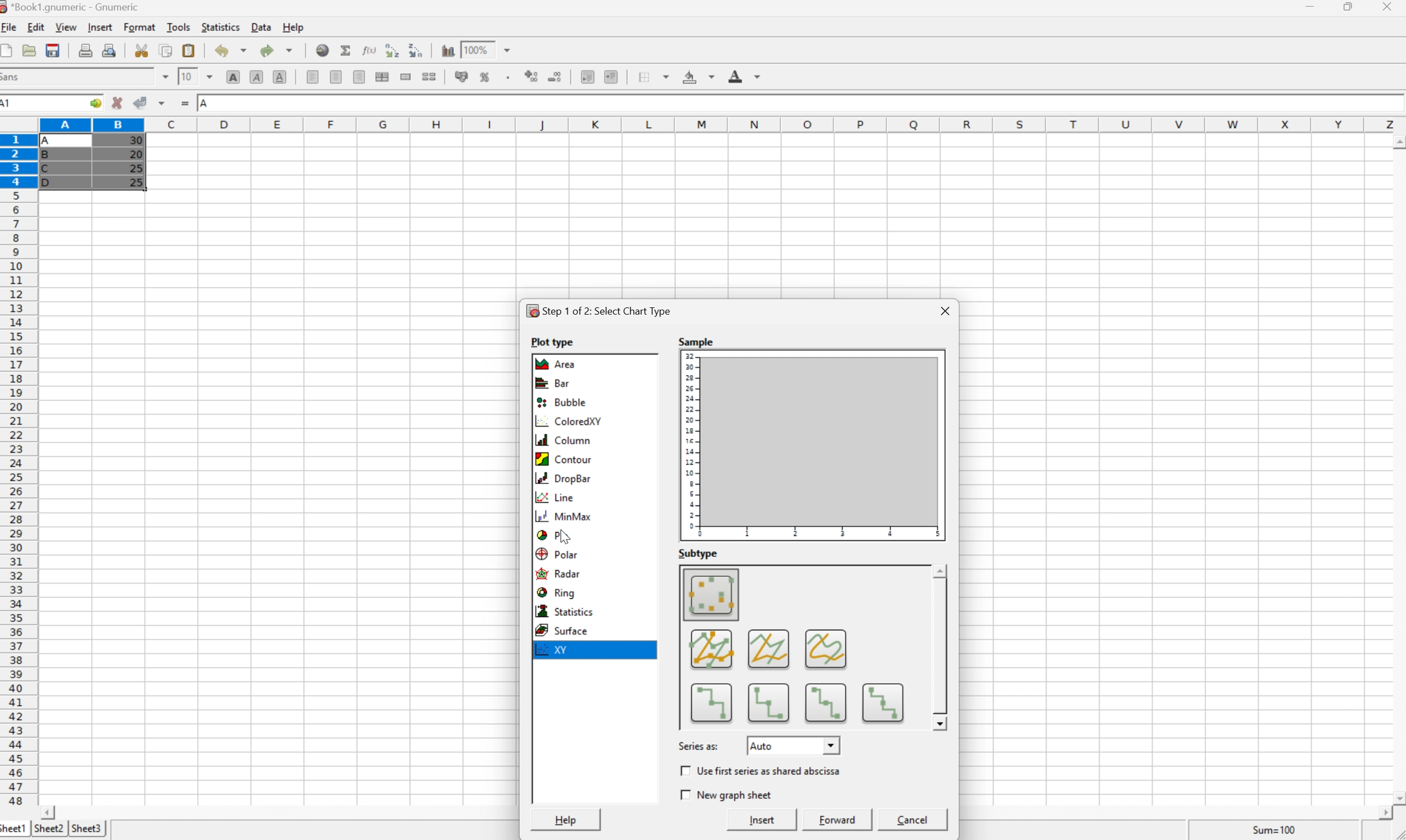 This screenshot has width=1406, height=840. What do you see at coordinates (178, 27) in the screenshot?
I see `Tools` at bounding box center [178, 27].